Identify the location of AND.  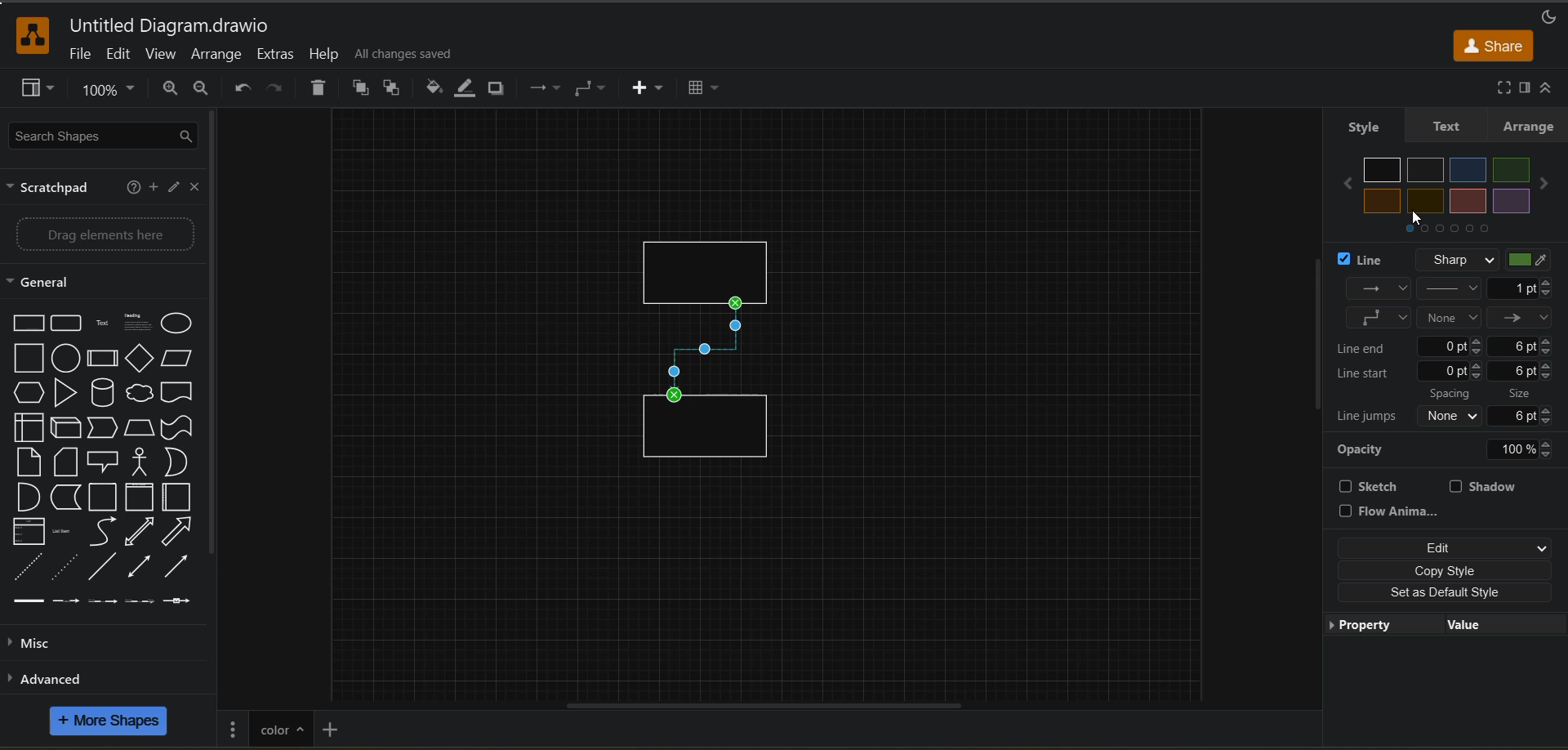
(27, 497).